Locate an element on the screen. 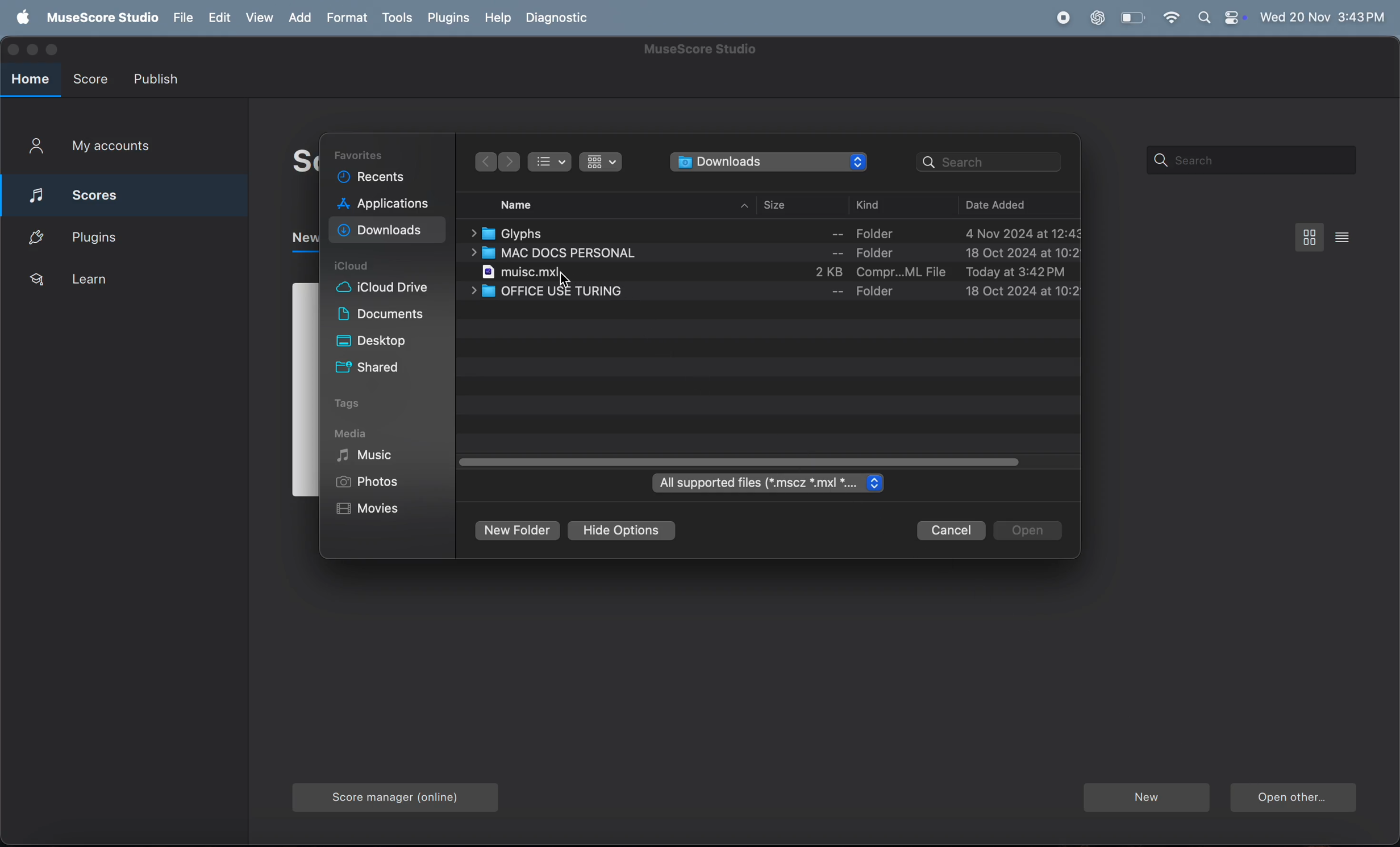 This screenshot has width=1400, height=847. downloads is located at coordinates (769, 163).